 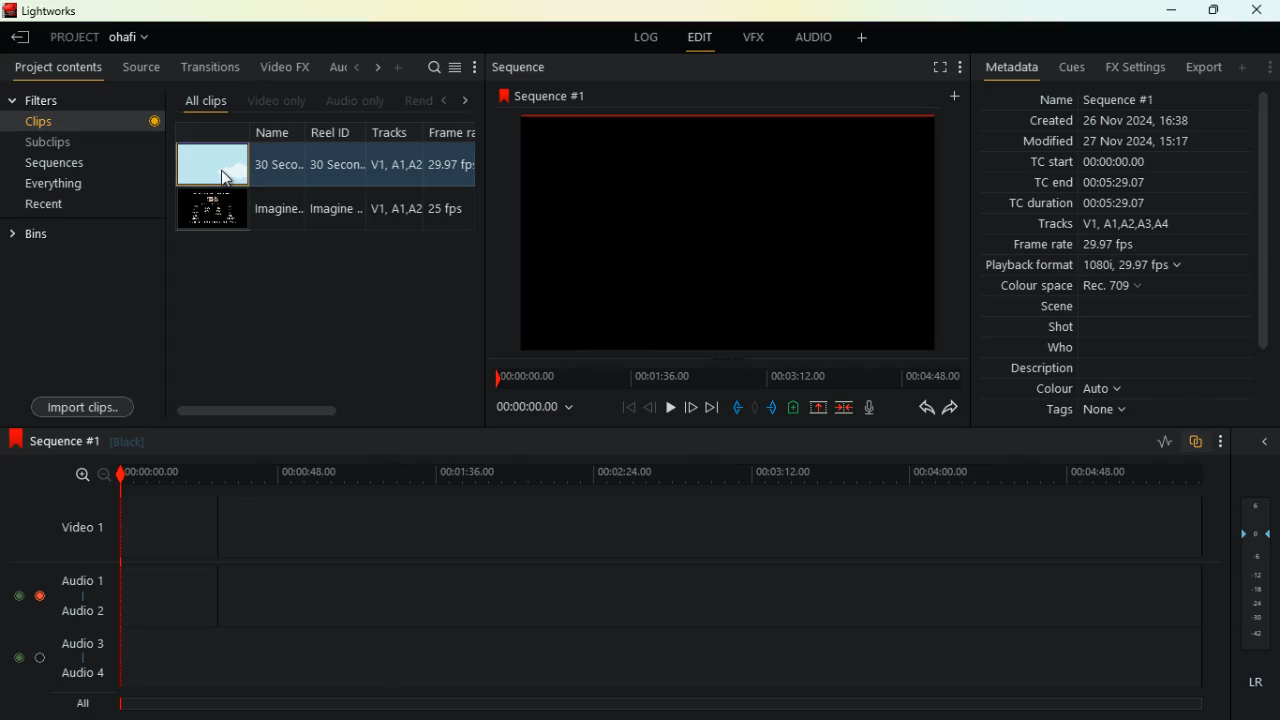 What do you see at coordinates (477, 68) in the screenshot?
I see `more` at bounding box center [477, 68].